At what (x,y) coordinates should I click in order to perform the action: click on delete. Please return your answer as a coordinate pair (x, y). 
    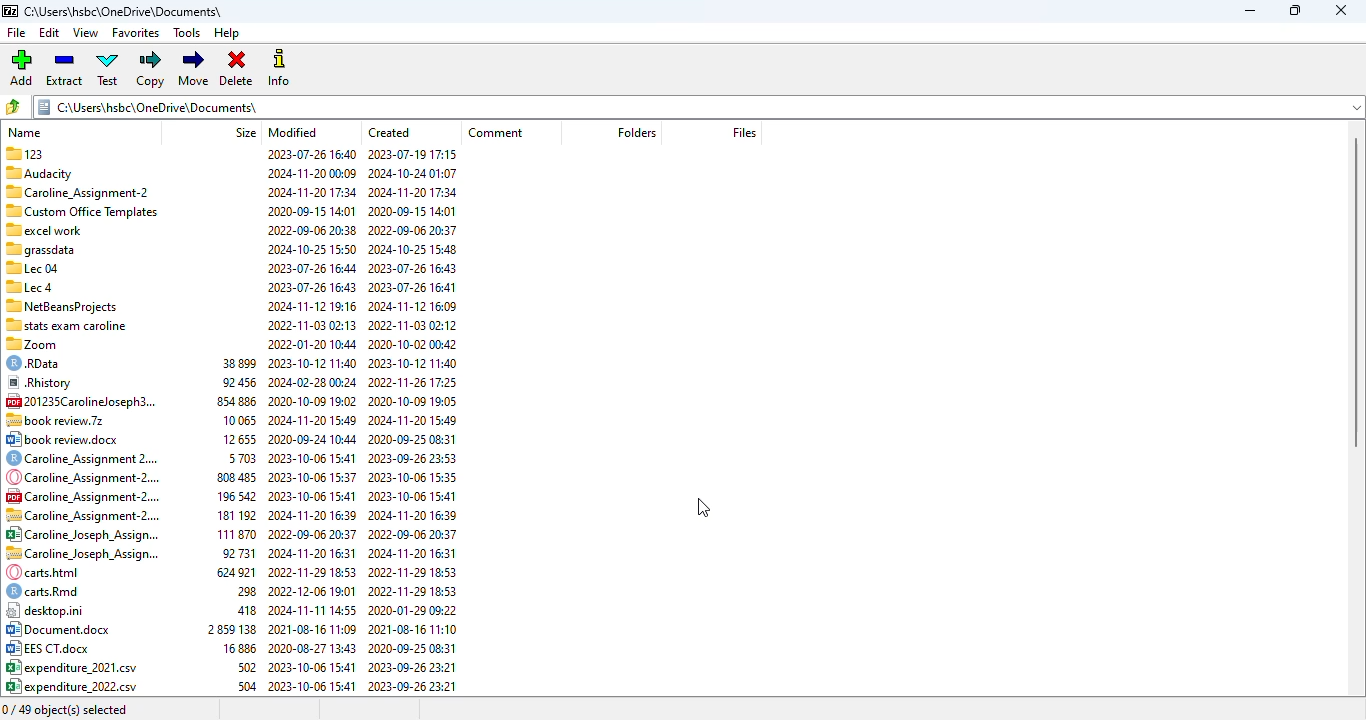
    Looking at the image, I should click on (237, 69).